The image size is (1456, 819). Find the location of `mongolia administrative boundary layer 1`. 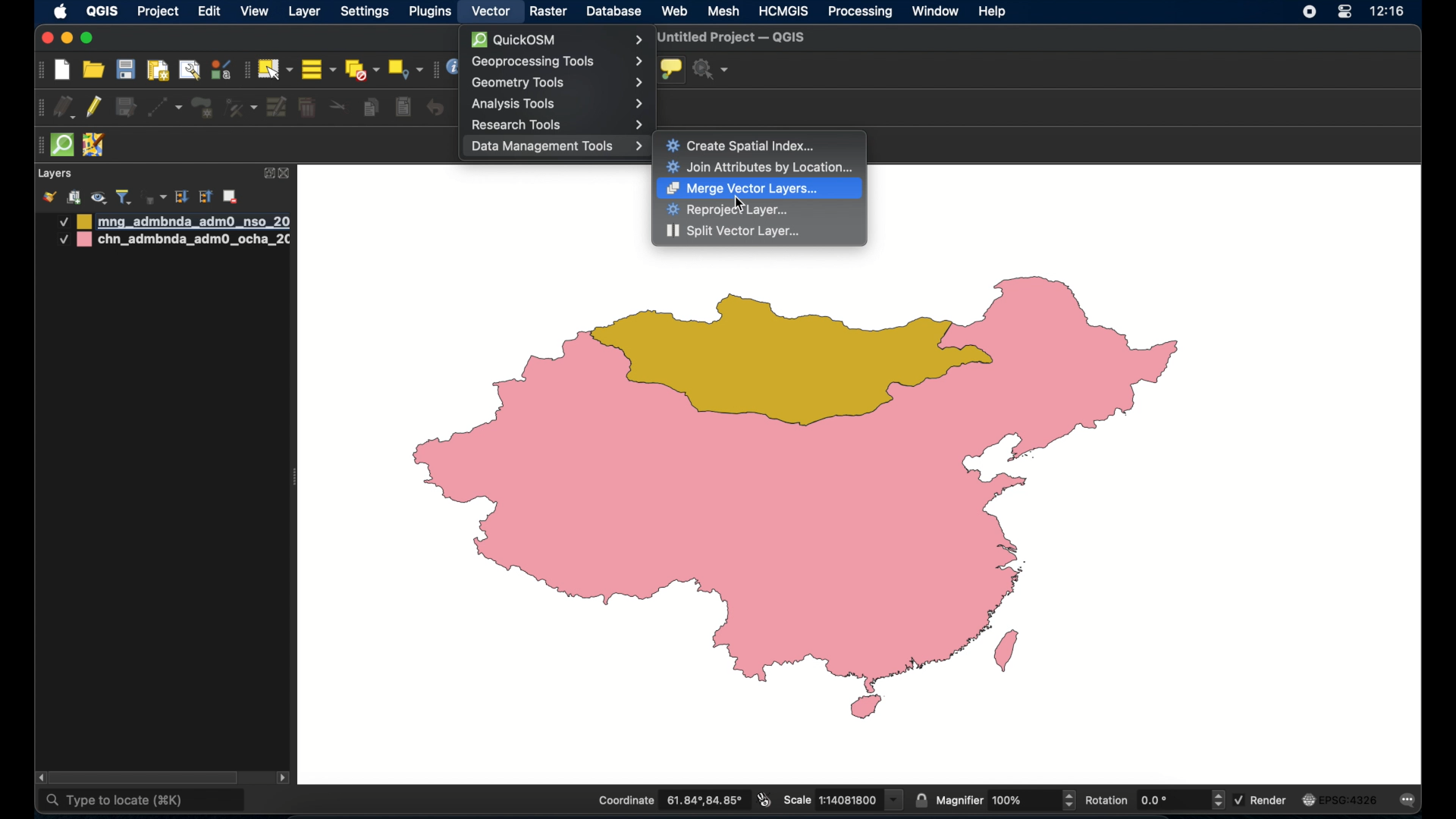

mongolia administrative boundary layer 1 is located at coordinates (172, 221).